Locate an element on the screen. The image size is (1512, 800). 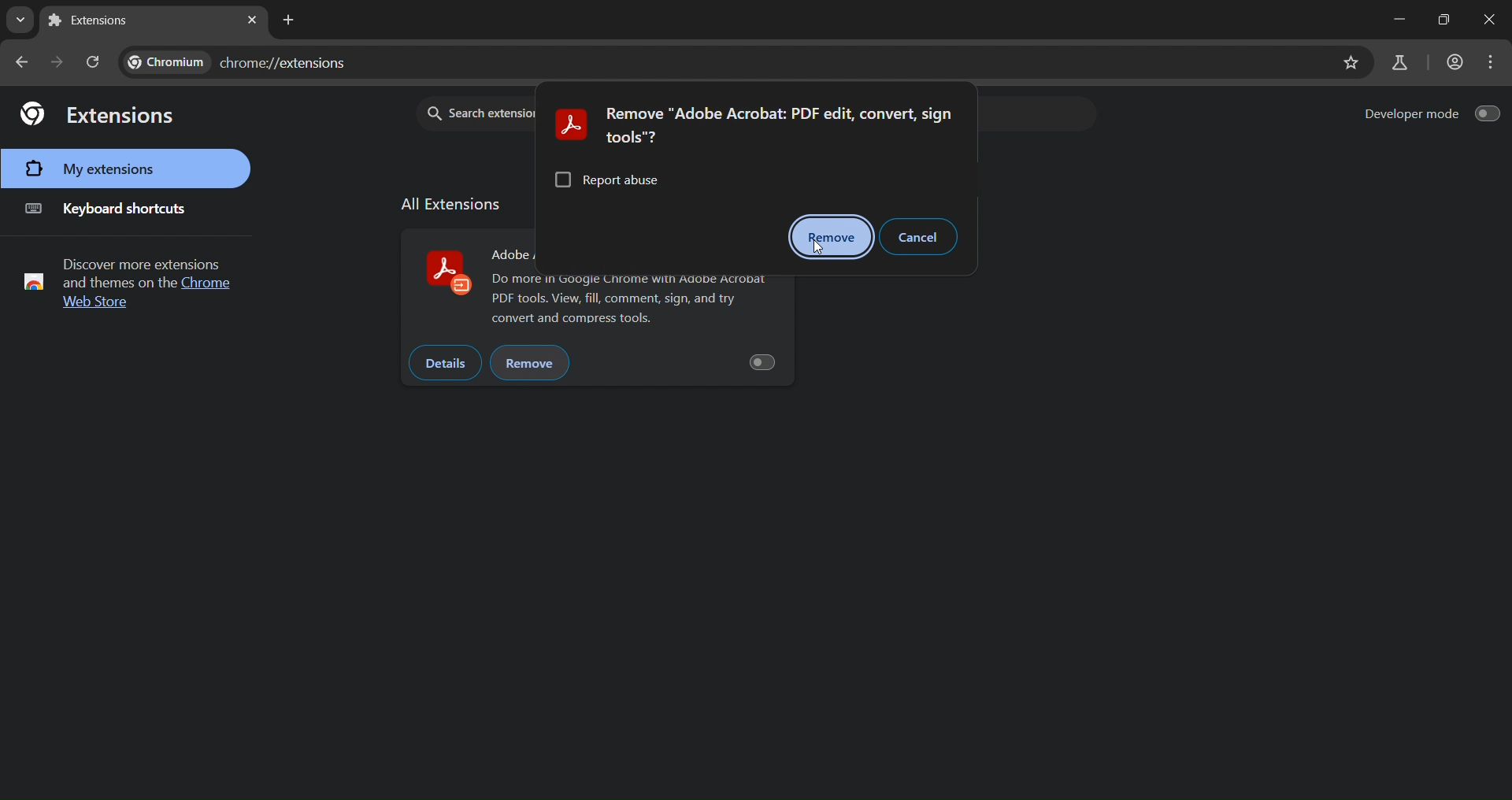
adobe odf is located at coordinates (632, 283).